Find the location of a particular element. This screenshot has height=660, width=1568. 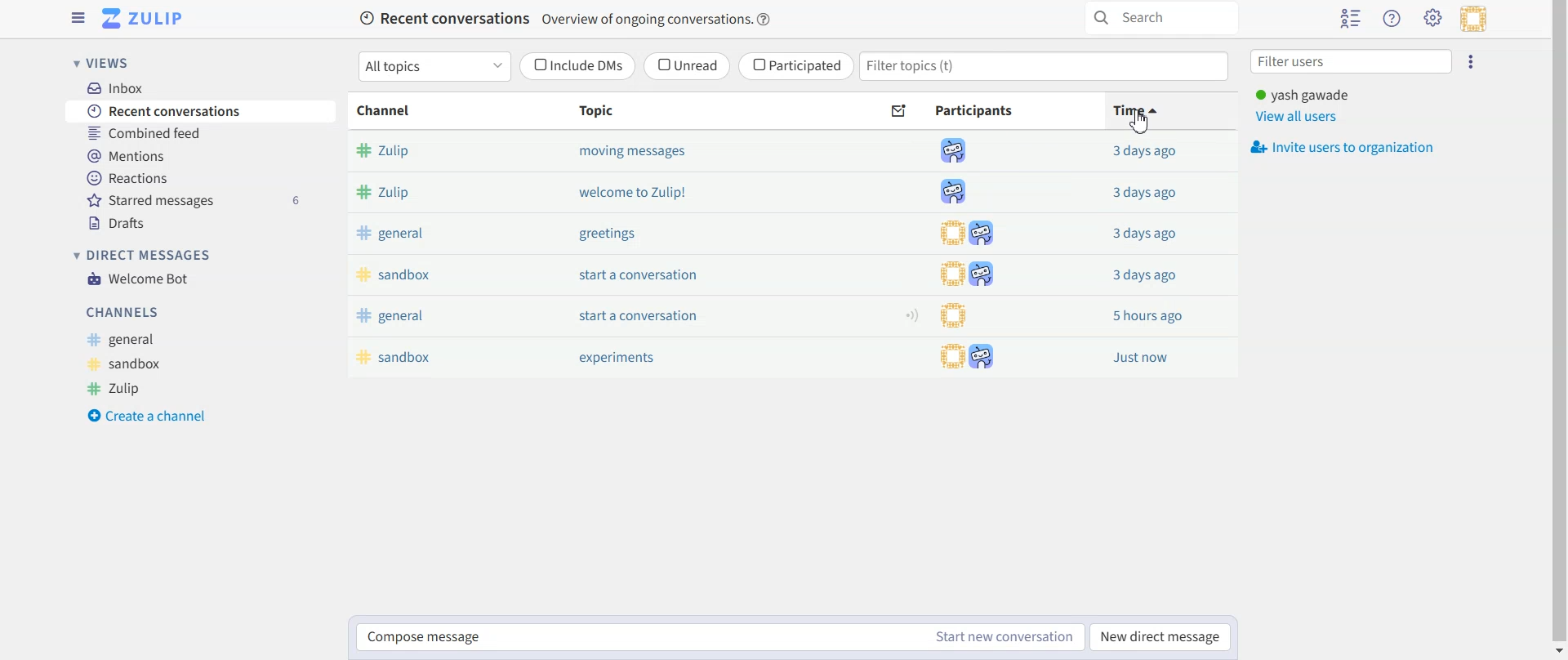

Filter topics (t) is located at coordinates (1045, 68).